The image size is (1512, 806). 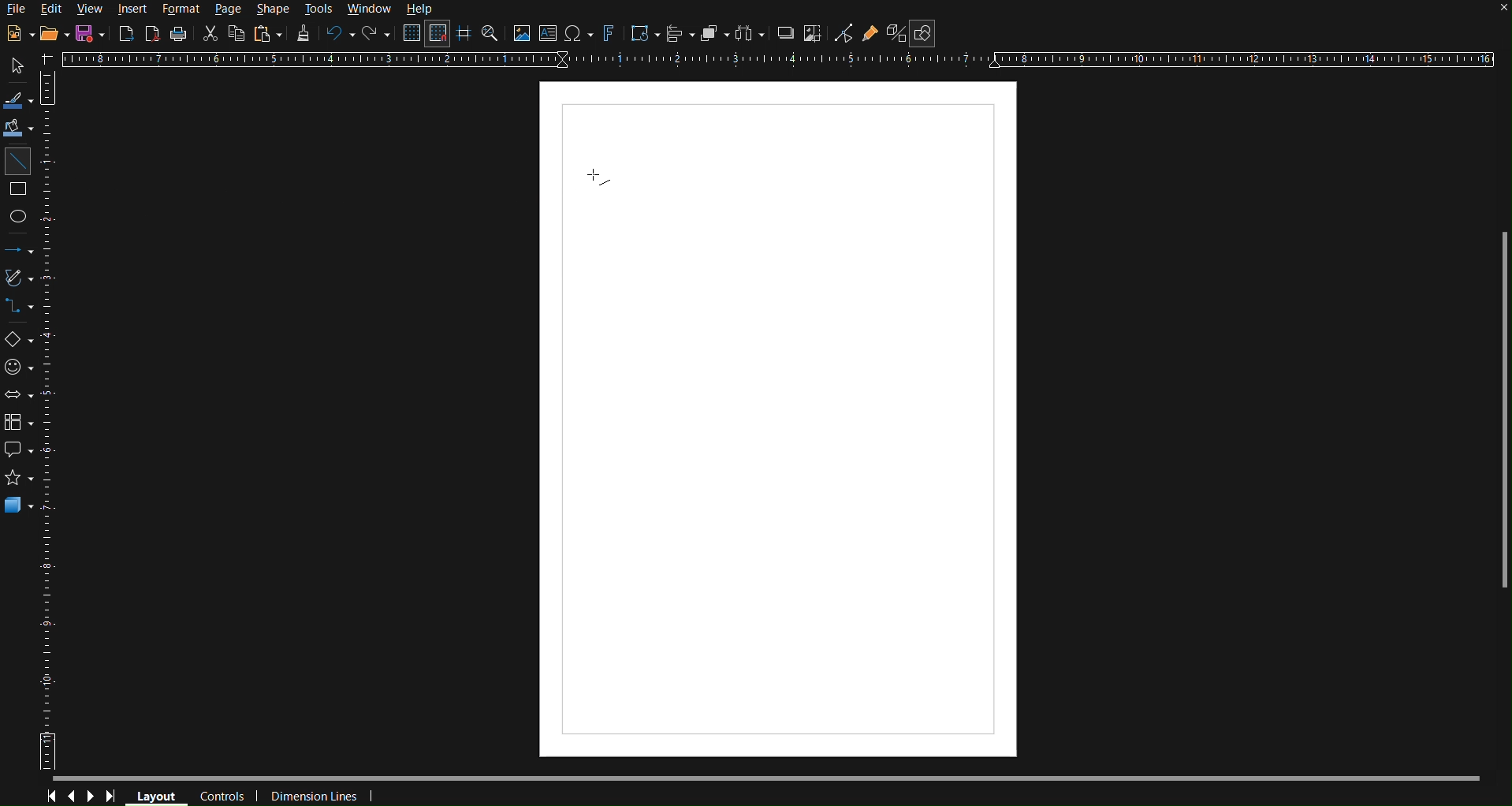 What do you see at coordinates (717, 33) in the screenshot?
I see `Arrange` at bounding box center [717, 33].